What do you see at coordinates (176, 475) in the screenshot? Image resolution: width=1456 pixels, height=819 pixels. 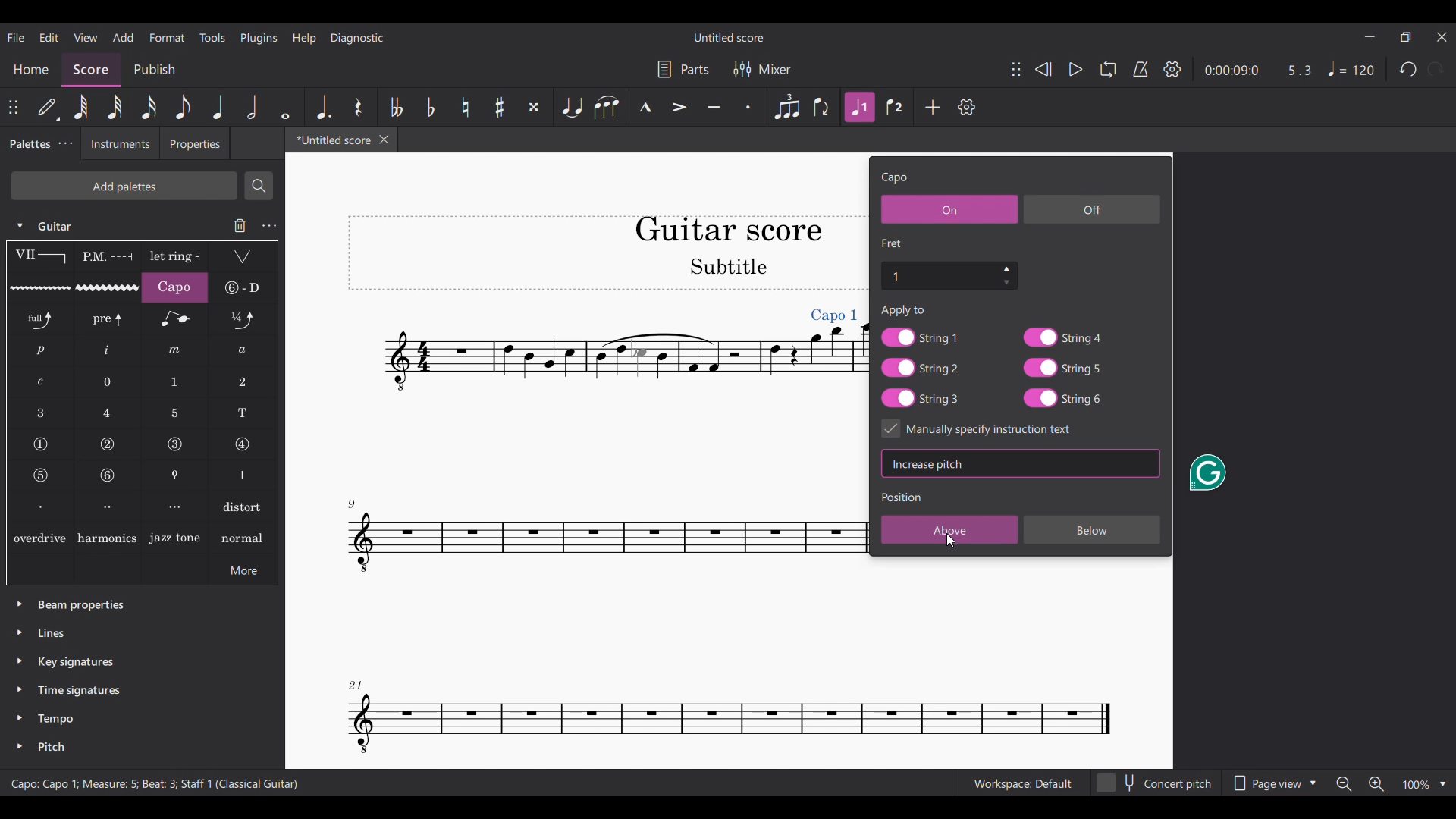 I see `Thumb position` at bounding box center [176, 475].